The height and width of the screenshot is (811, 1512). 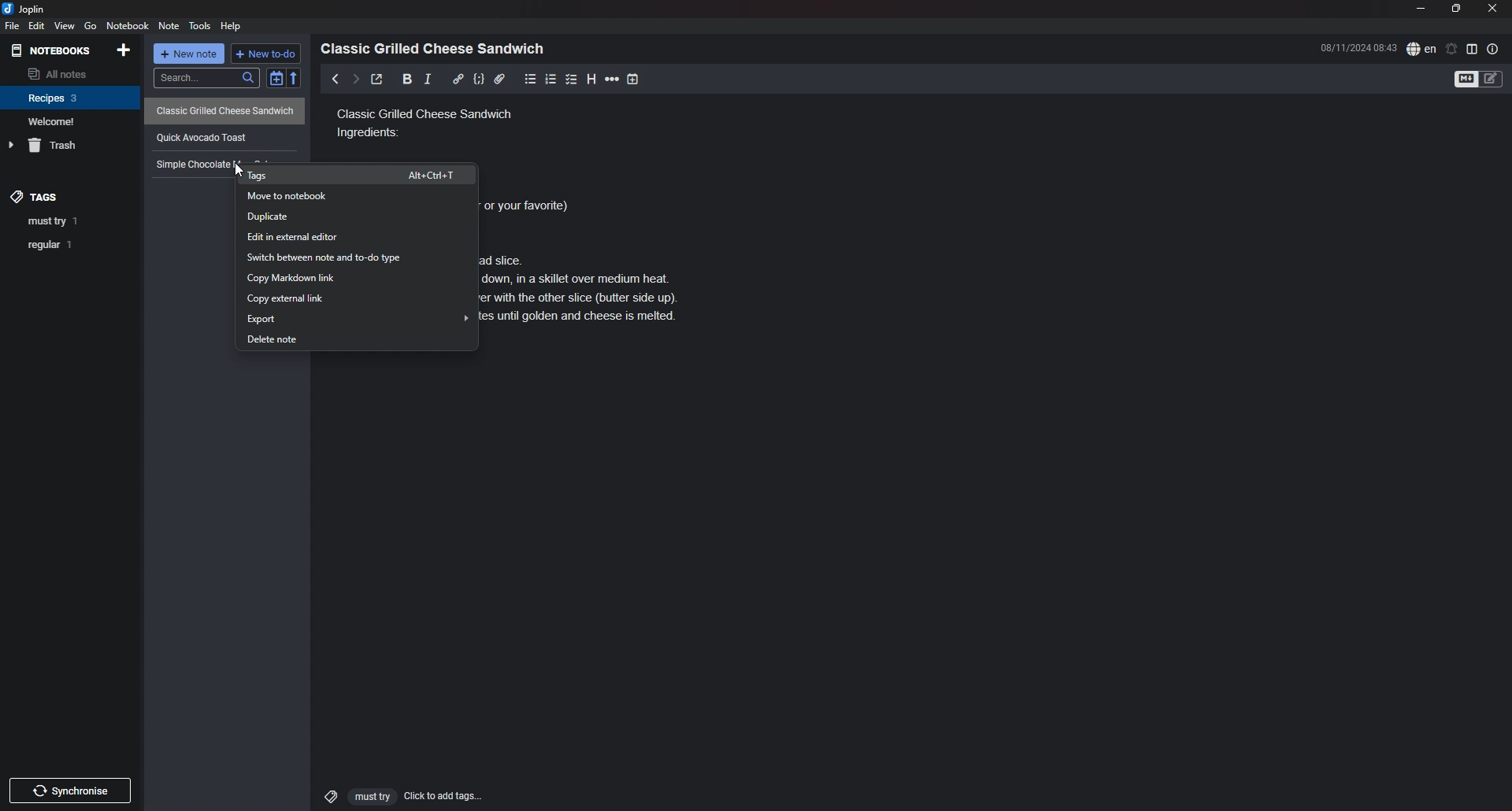 What do you see at coordinates (428, 79) in the screenshot?
I see `italic` at bounding box center [428, 79].